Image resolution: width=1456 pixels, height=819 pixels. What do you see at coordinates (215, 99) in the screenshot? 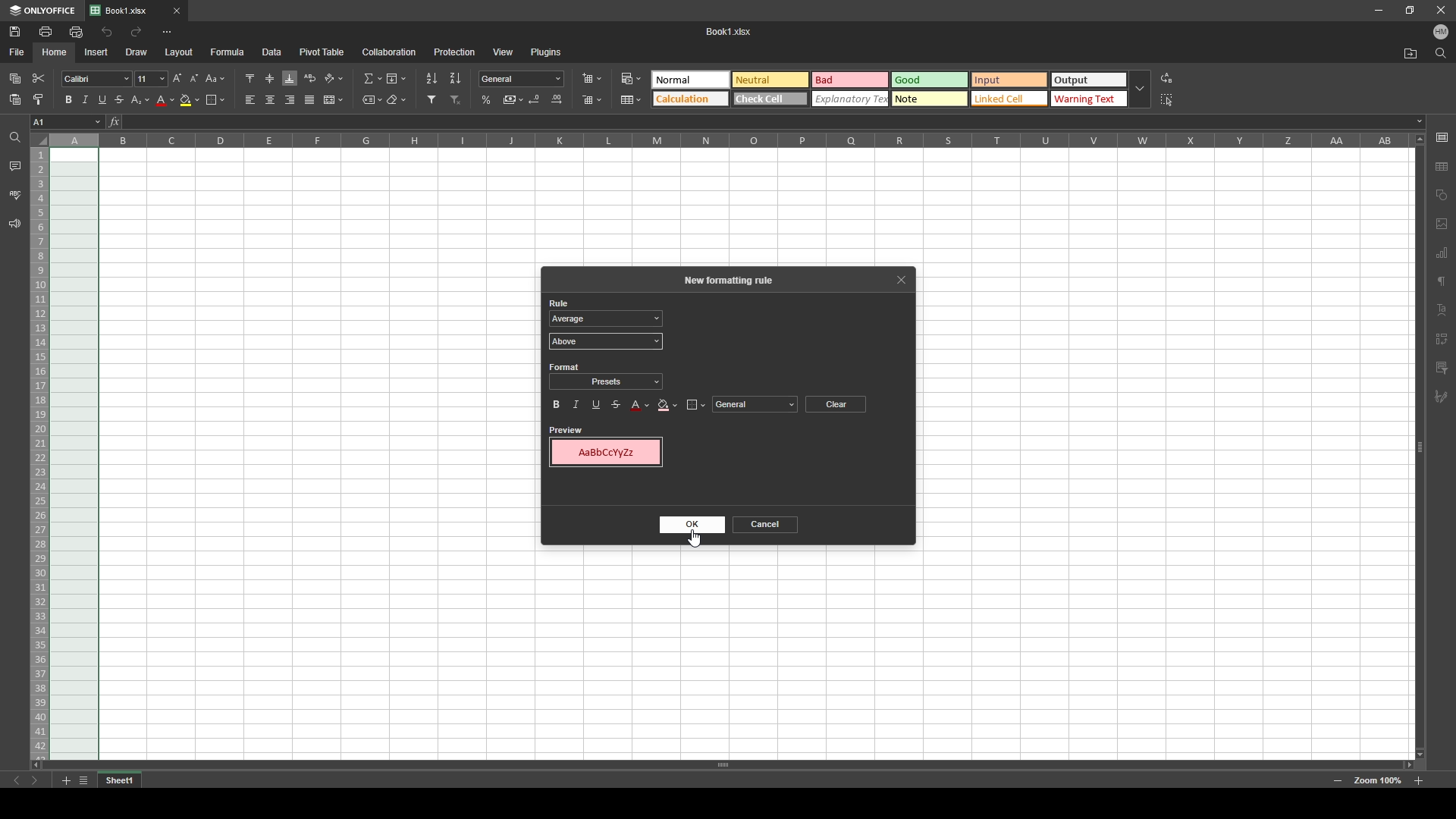
I see `borders` at bounding box center [215, 99].